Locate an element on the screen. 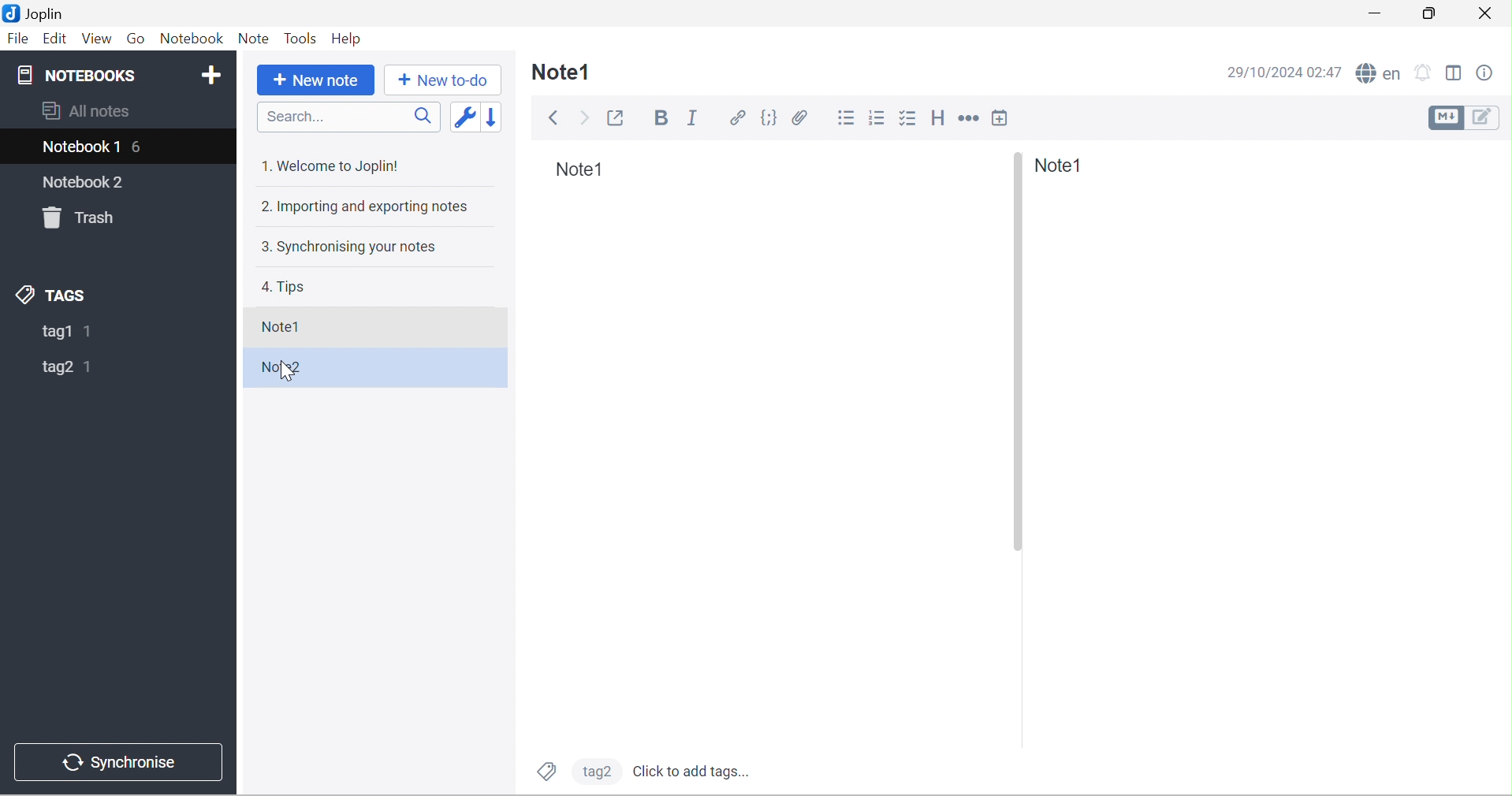  All notes is located at coordinates (88, 110).